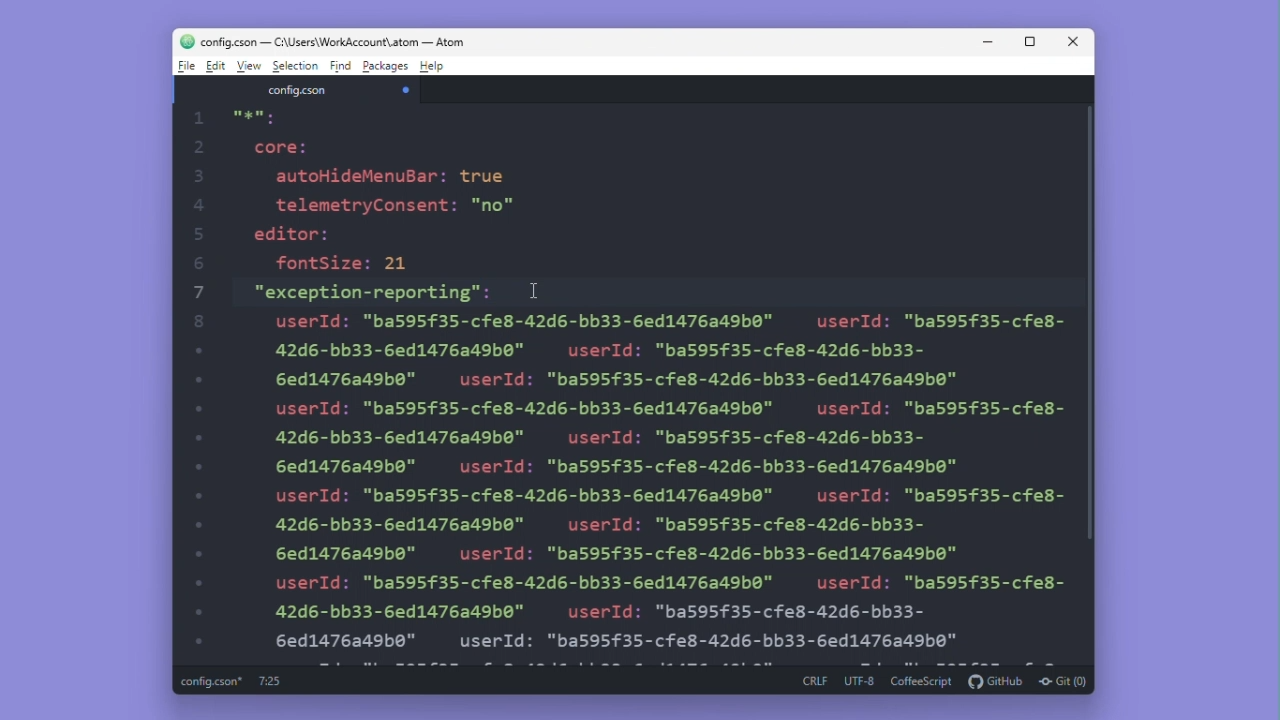 This screenshot has height=720, width=1280. Describe the element at coordinates (1030, 41) in the screenshot. I see `Maximize` at that location.